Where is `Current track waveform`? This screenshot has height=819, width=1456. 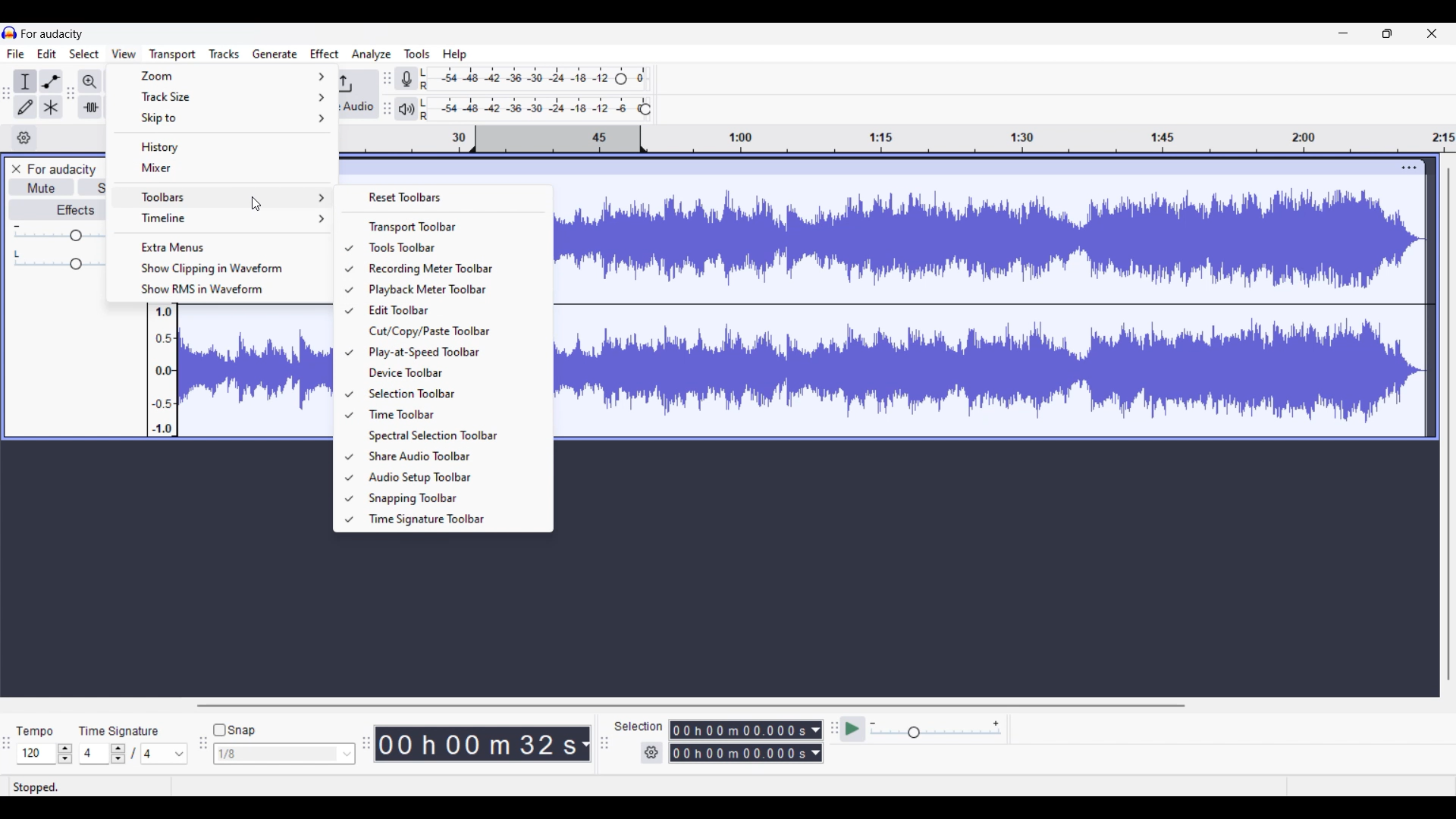
Current track waveform is located at coordinates (976, 306).